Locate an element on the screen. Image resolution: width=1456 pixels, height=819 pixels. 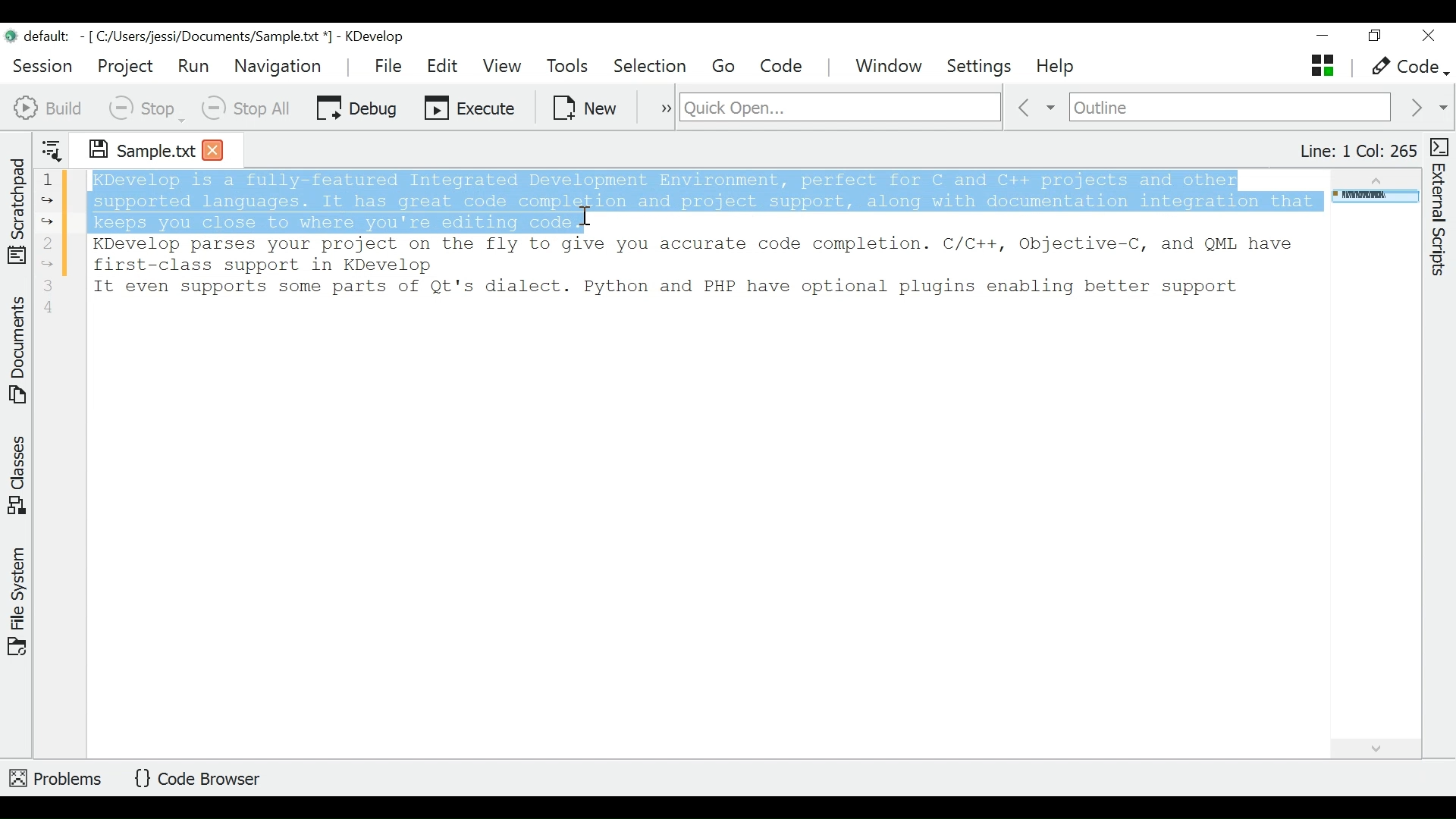
Quick Open... is located at coordinates (838, 108).